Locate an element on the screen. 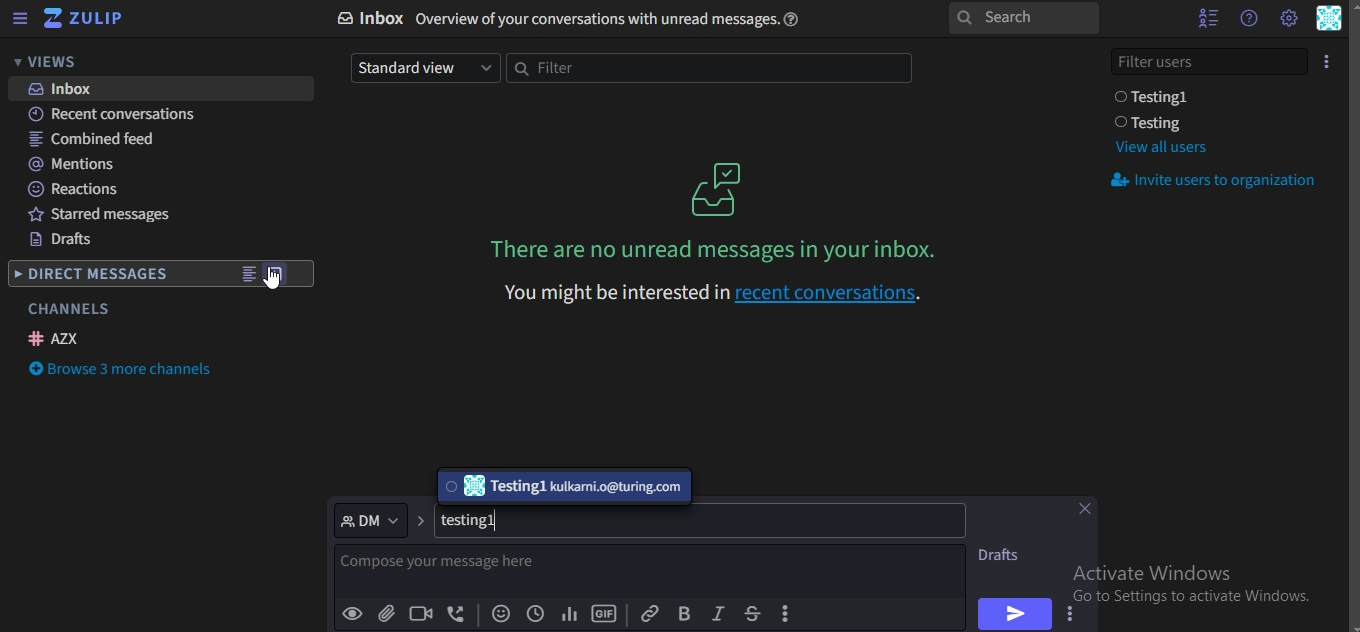  vold is located at coordinates (684, 613).